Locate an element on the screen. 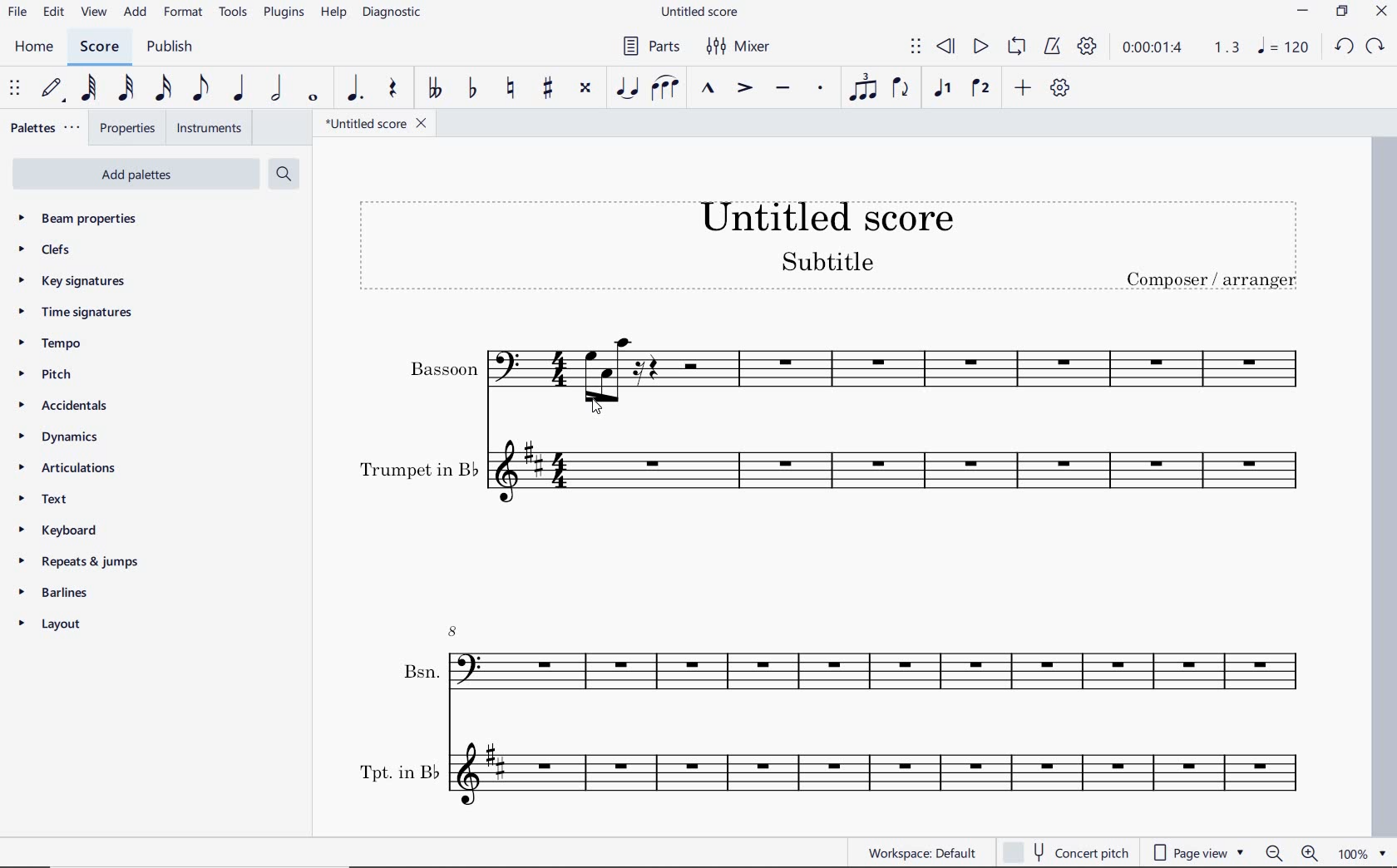  select to move is located at coordinates (15, 90).